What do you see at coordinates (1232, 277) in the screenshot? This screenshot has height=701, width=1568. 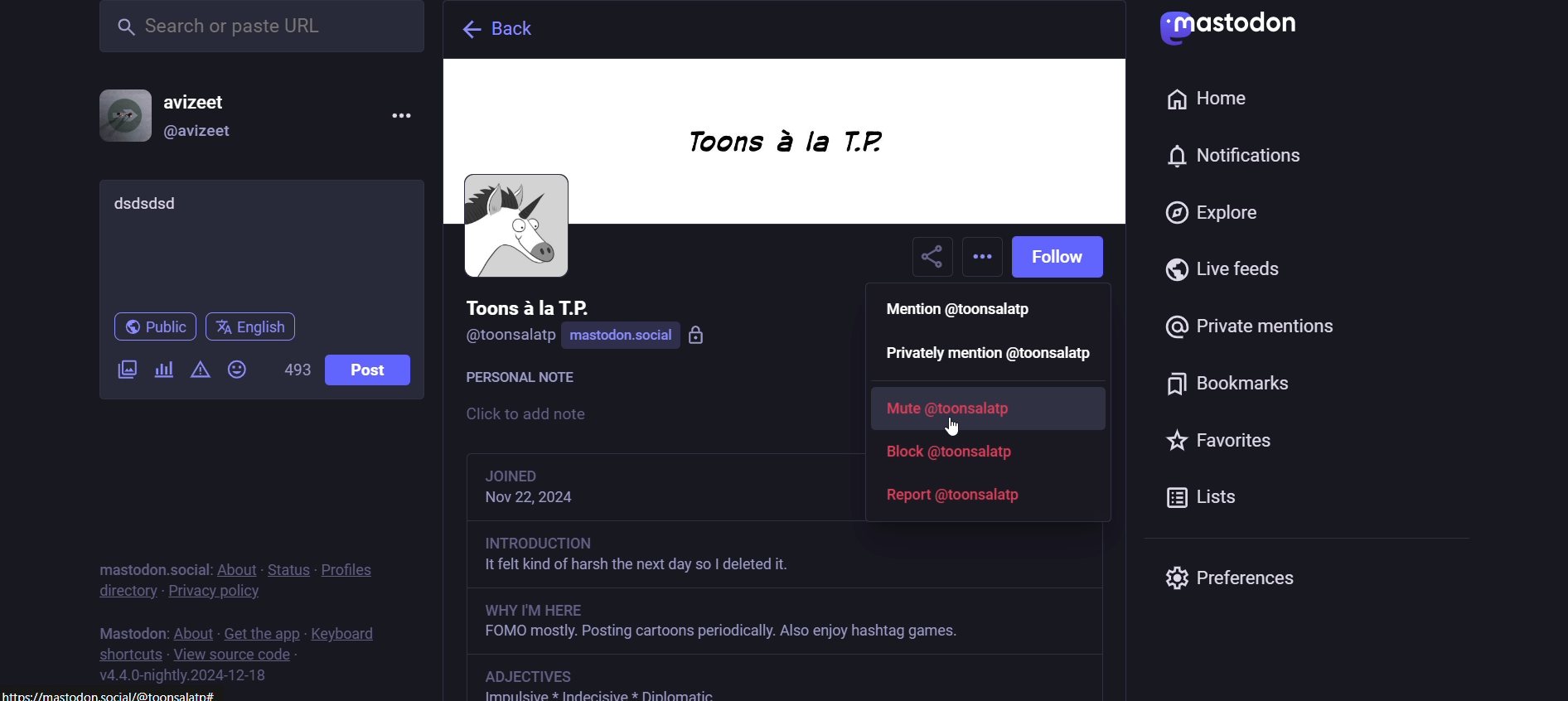 I see `live feeds` at bounding box center [1232, 277].